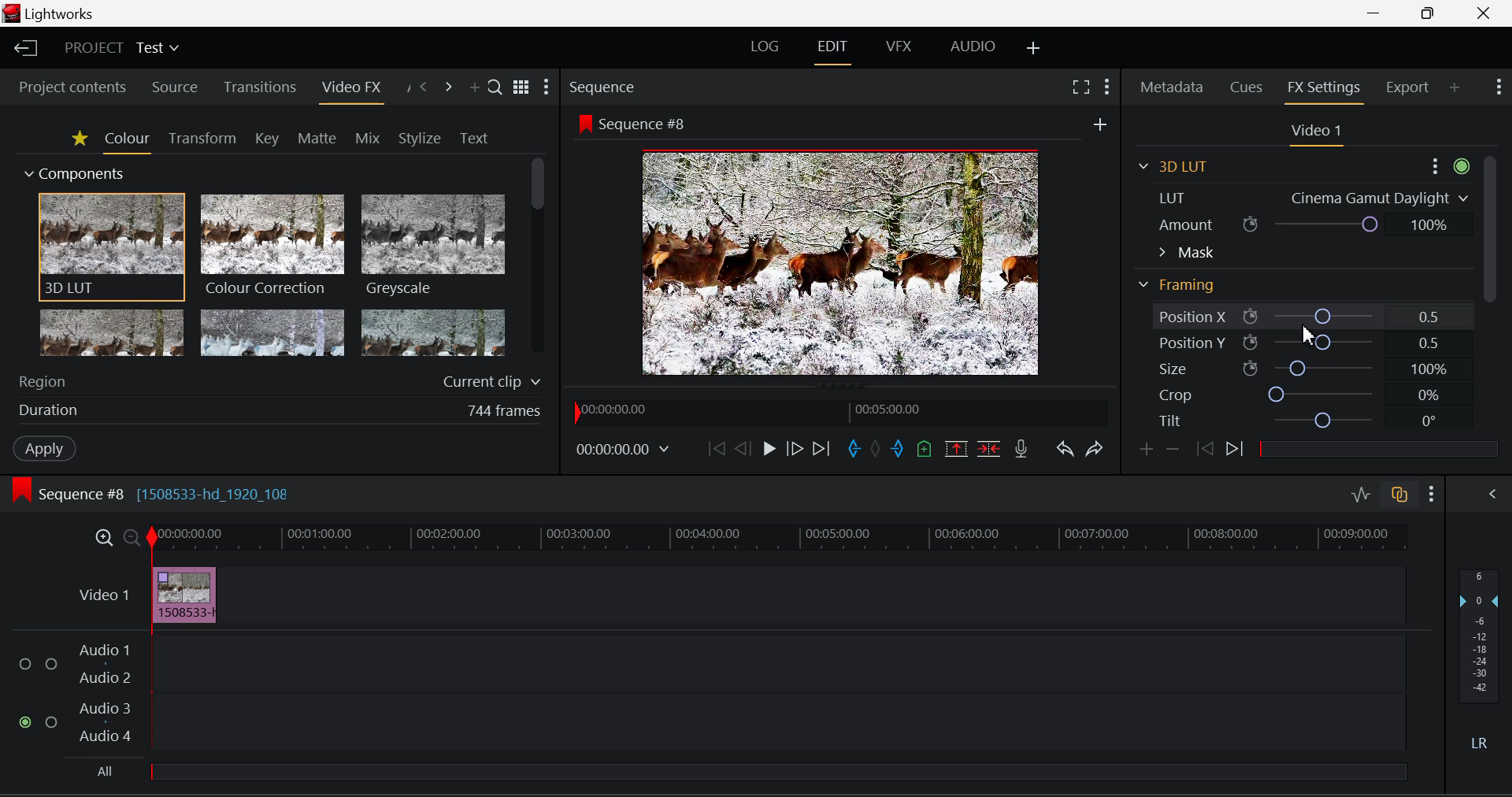 This screenshot has height=797, width=1512. Describe the element at coordinates (1483, 662) in the screenshot. I see `Decibel Level` at that location.